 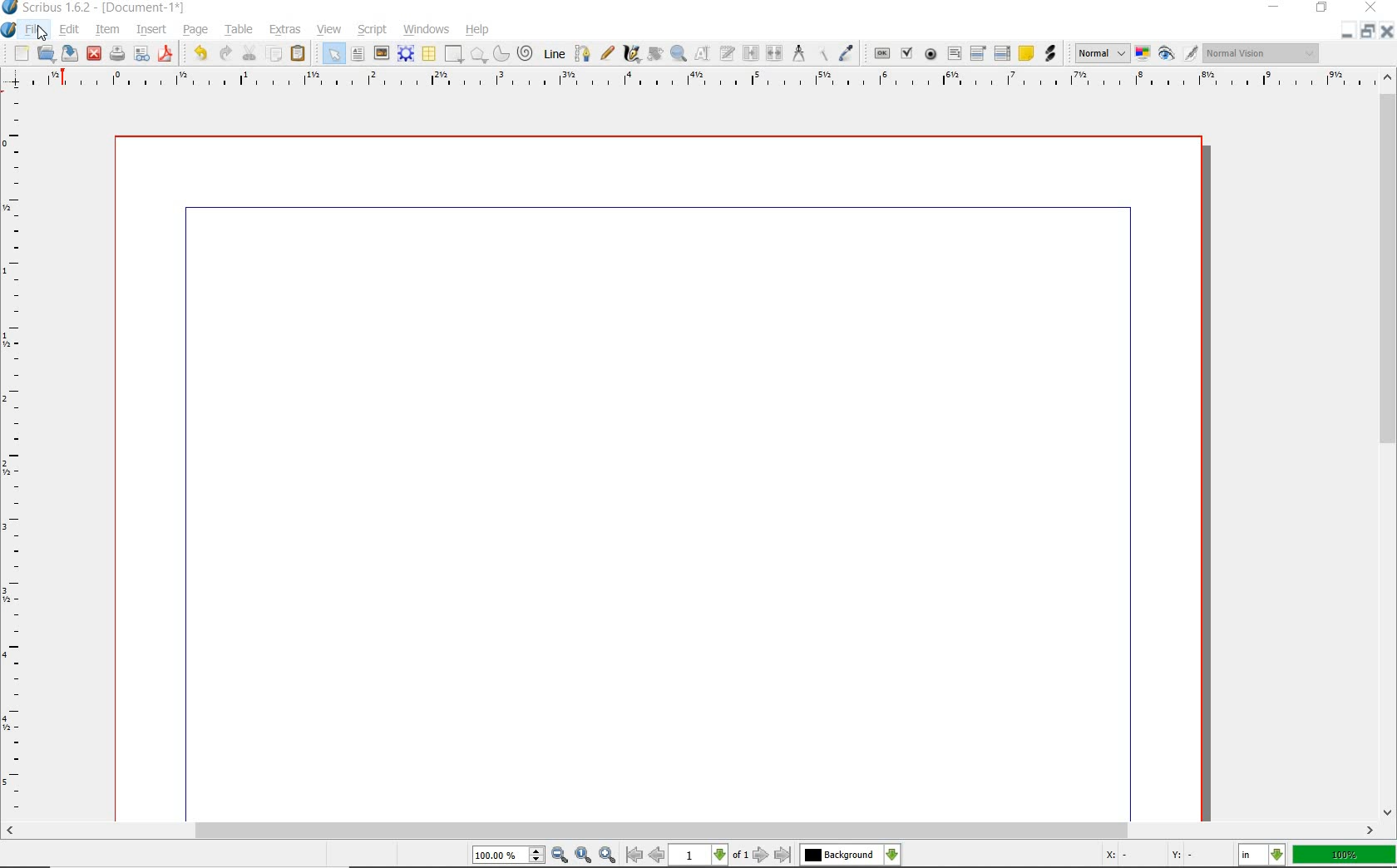 What do you see at coordinates (1263, 856) in the screenshot?
I see `select the current unit` at bounding box center [1263, 856].